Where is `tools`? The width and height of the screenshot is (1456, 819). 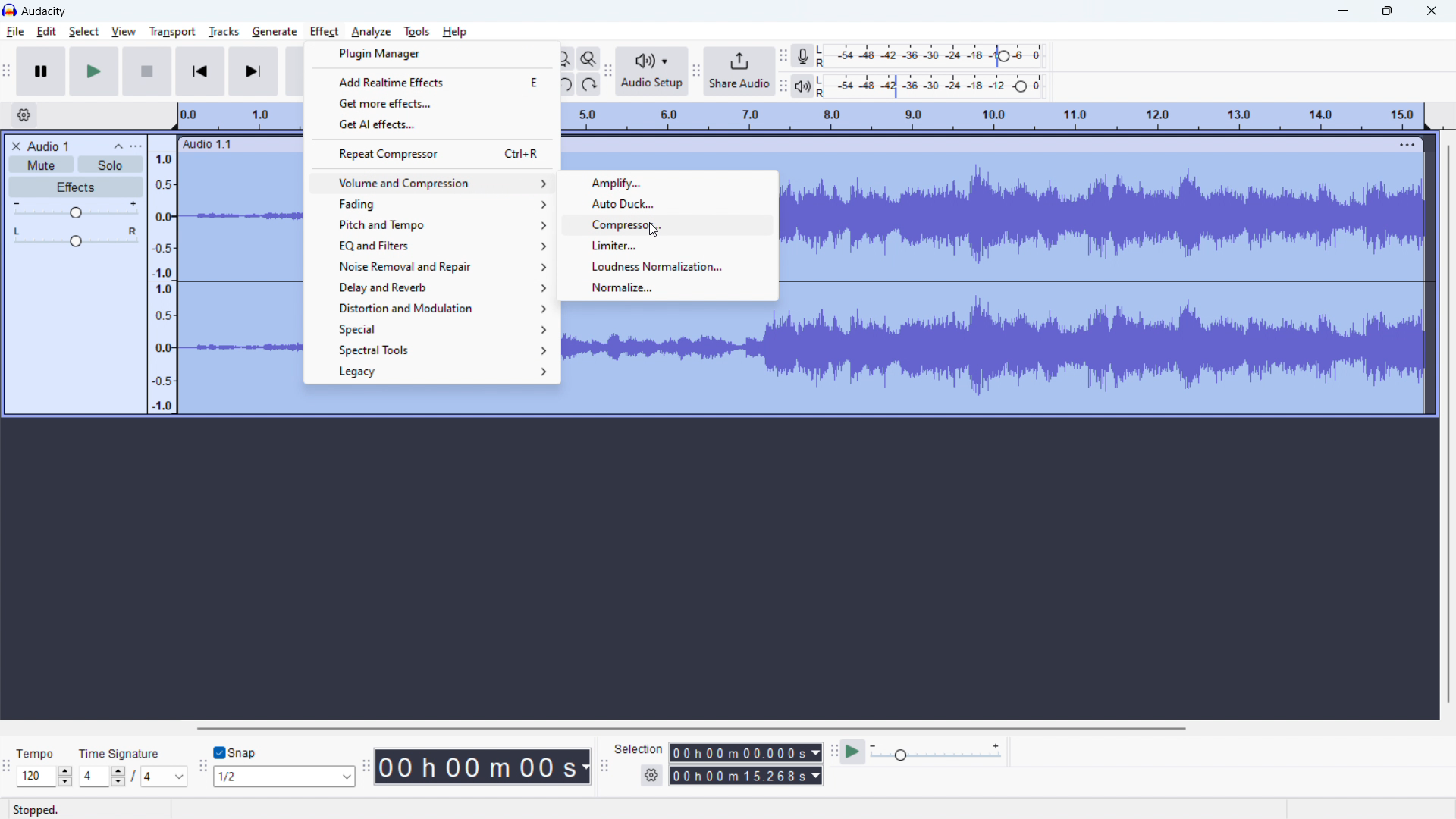 tools is located at coordinates (417, 32).